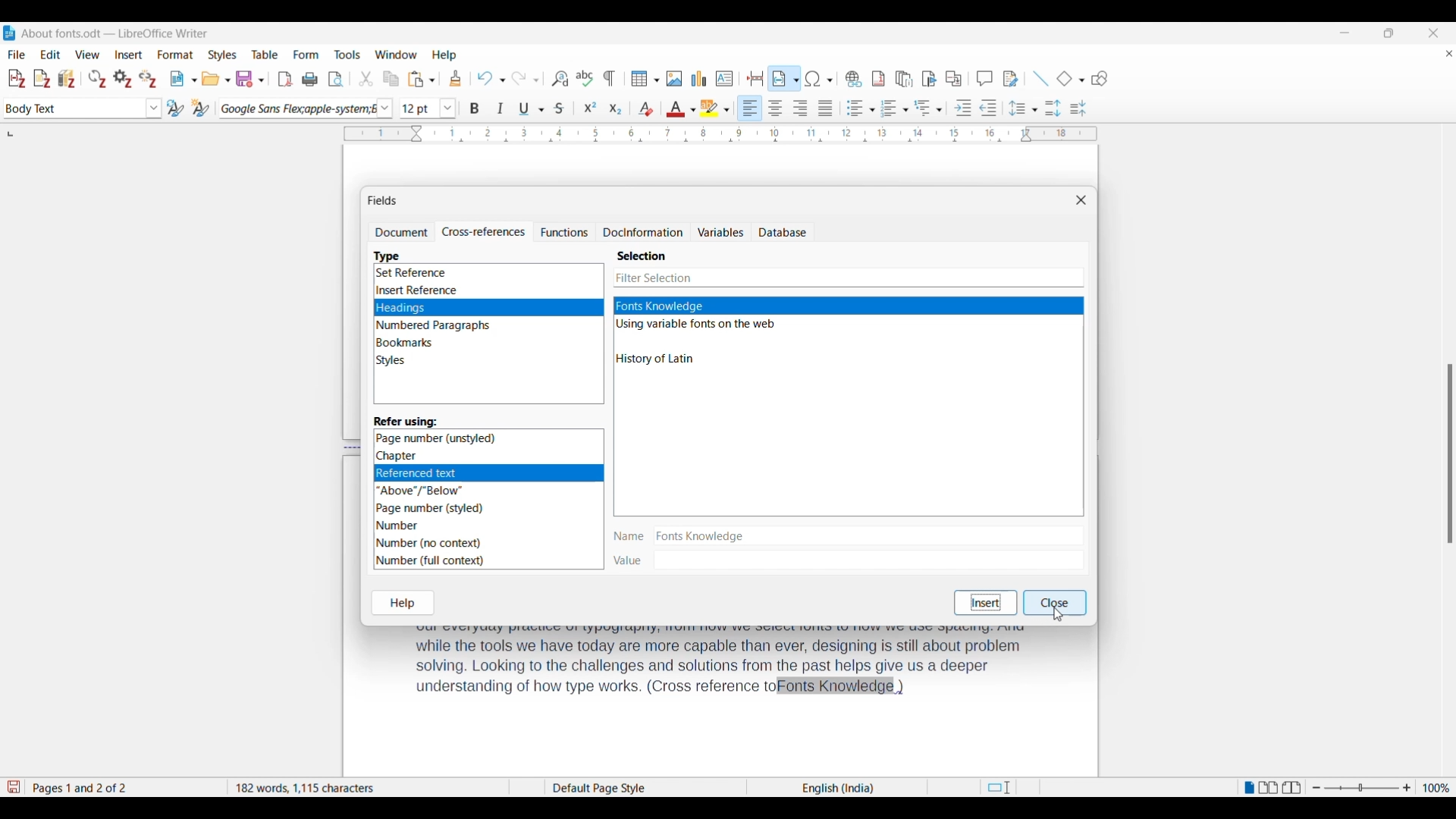  I want to click on Section title, so click(406, 421).